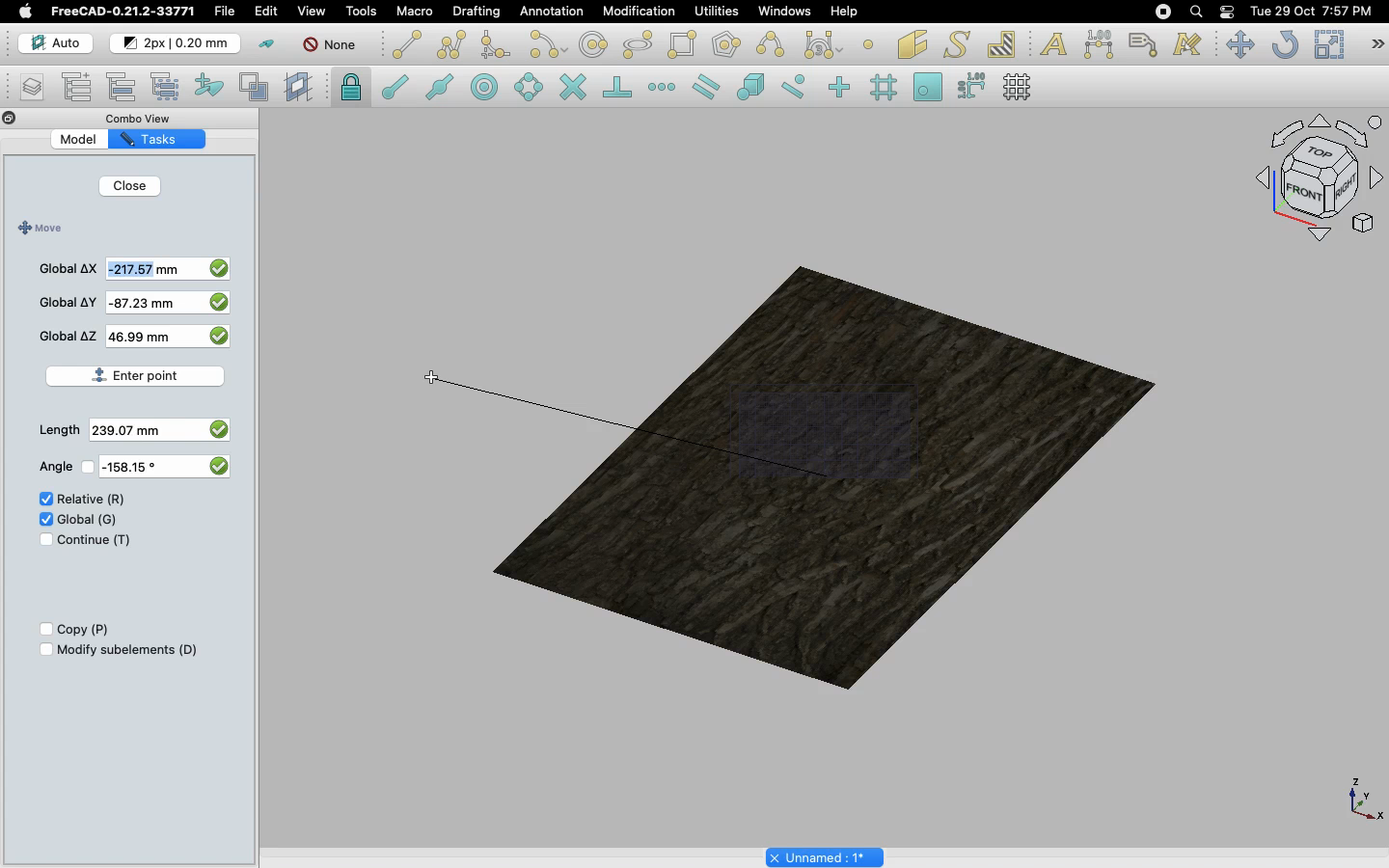 Image resolution: width=1389 pixels, height=868 pixels. What do you see at coordinates (395, 90) in the screenshot?
I see `Snap endpoint` at bounding box center [395, 90].